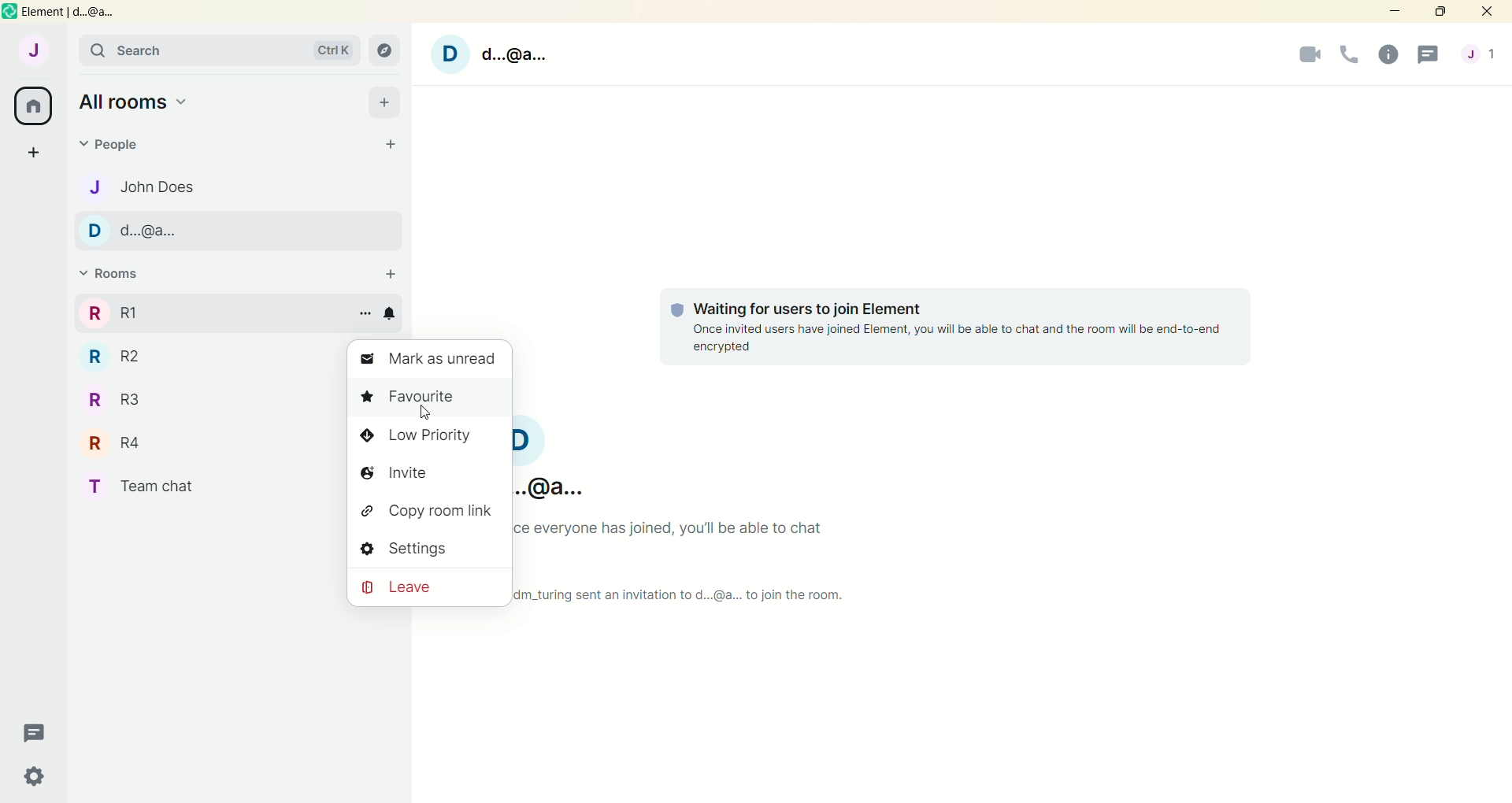  Describe the element at coordinates (134, 443) in the screenshot. I see `R R4` at that location.